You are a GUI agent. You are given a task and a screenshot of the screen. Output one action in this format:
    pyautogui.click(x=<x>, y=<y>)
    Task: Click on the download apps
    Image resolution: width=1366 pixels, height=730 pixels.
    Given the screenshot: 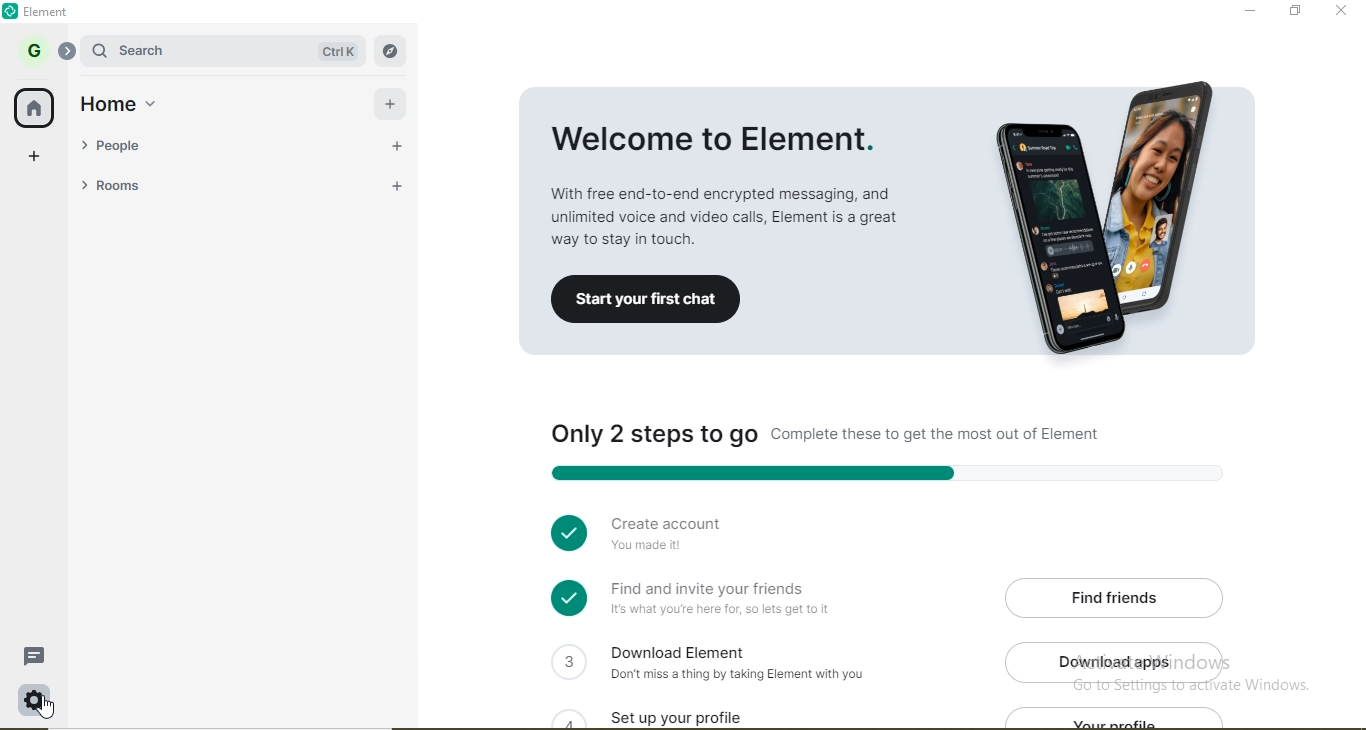 What is the action you would take?
    pyautogui.click(x=1120, y=662)
    